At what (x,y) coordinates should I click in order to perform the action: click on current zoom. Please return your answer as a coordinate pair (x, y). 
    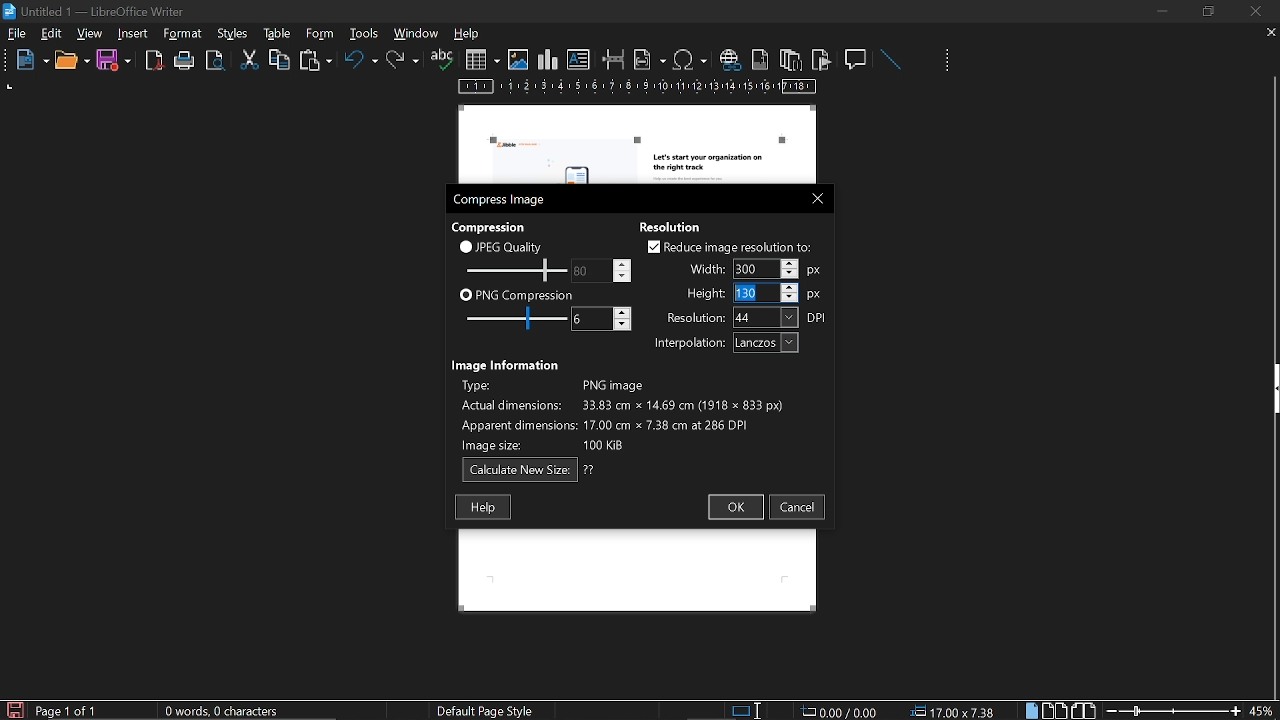
    Looking at the image, I should click on (1263, 710).